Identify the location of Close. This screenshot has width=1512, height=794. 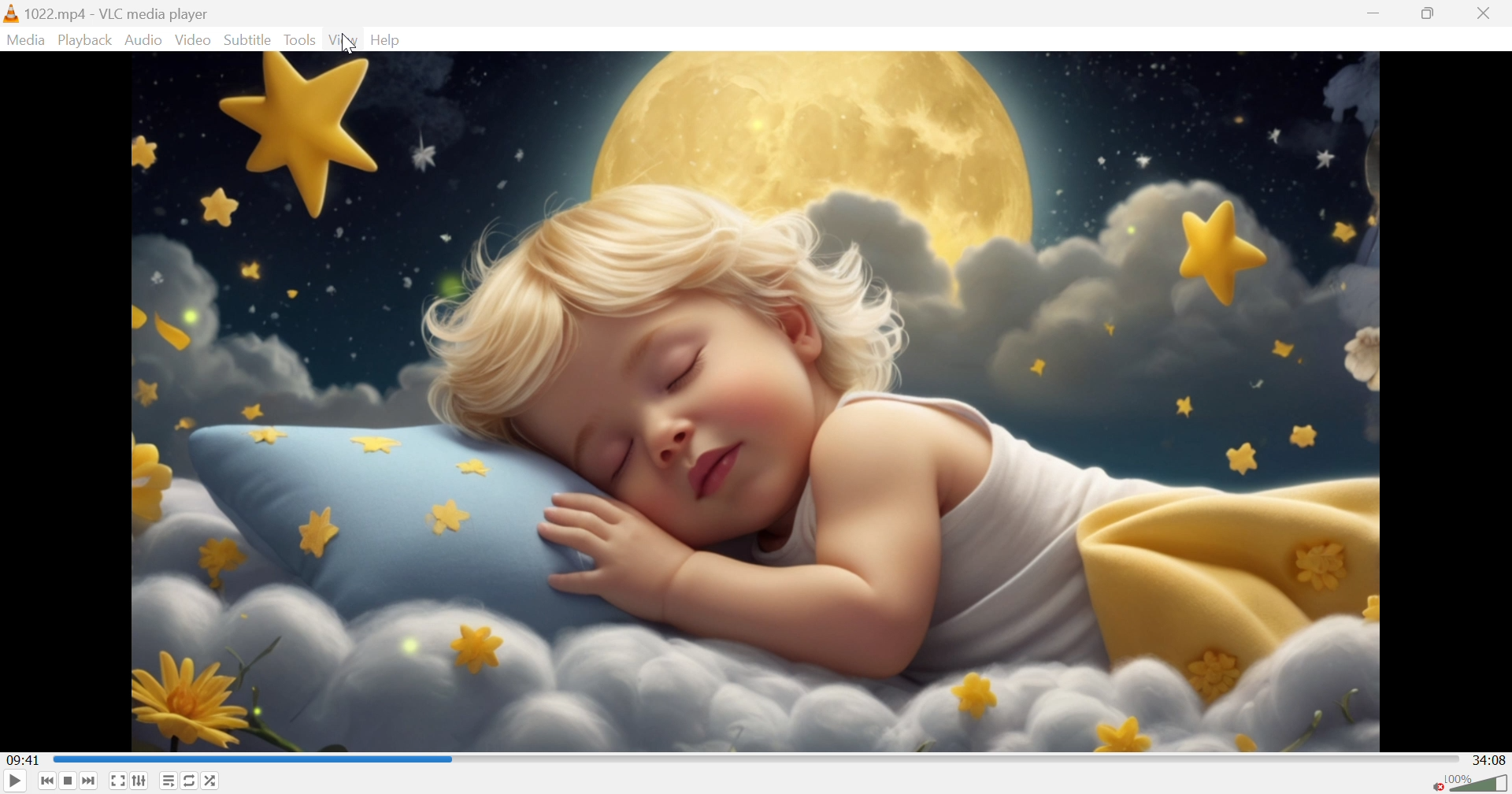
(1490, 12).